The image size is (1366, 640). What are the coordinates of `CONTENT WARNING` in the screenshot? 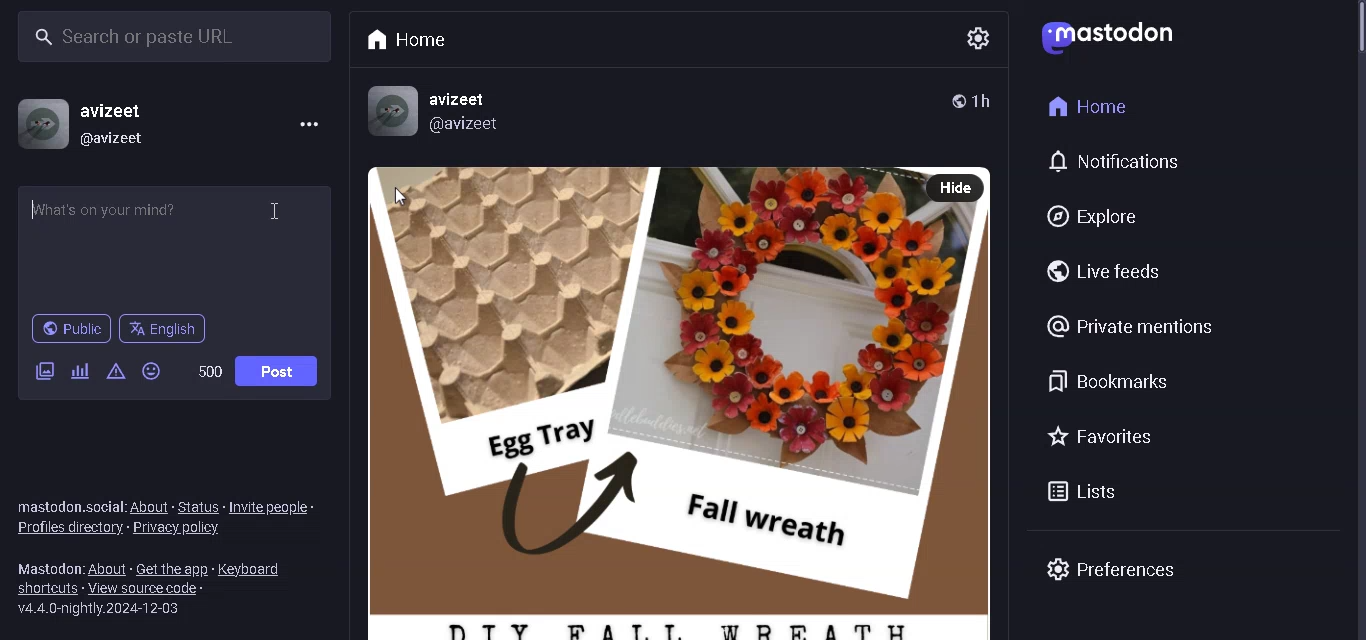 It's located at (116, 371).